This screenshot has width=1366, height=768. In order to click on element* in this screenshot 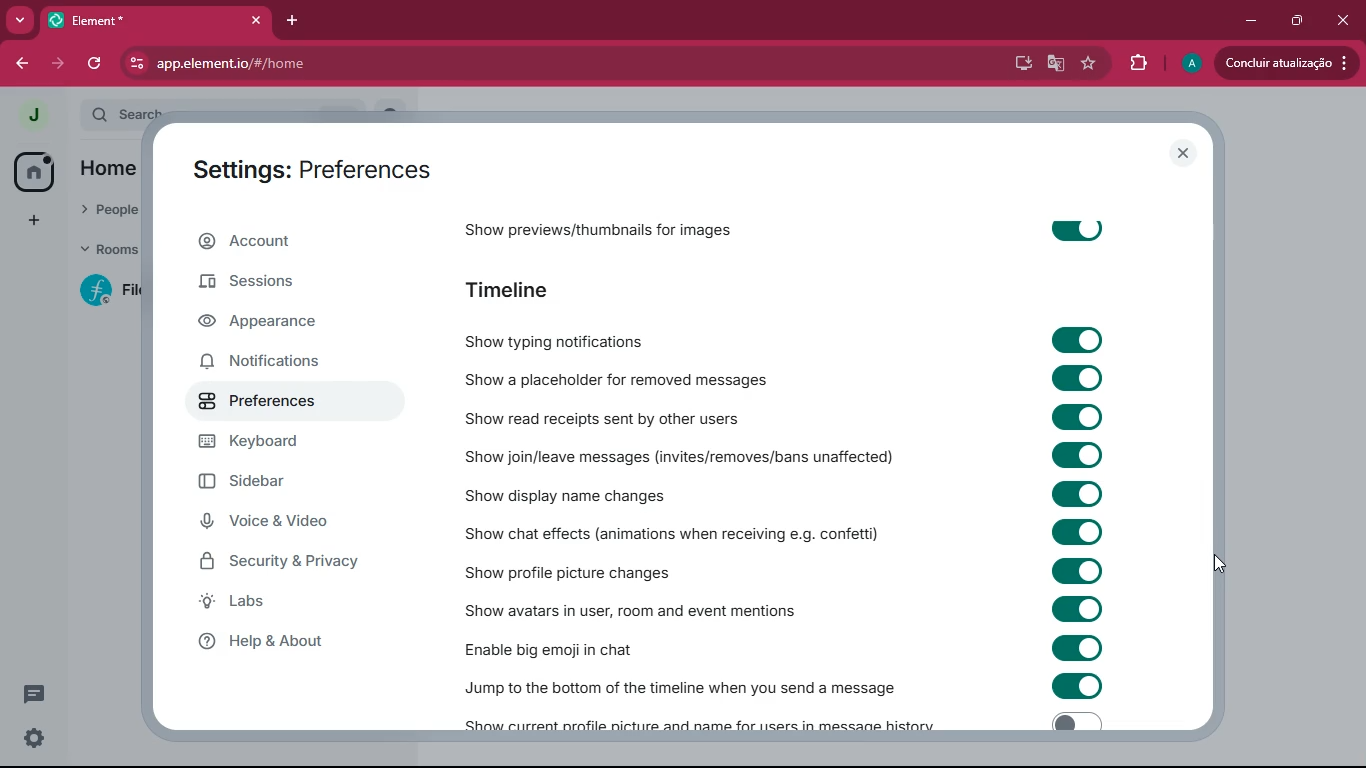, I will do `click(90, 19)`.